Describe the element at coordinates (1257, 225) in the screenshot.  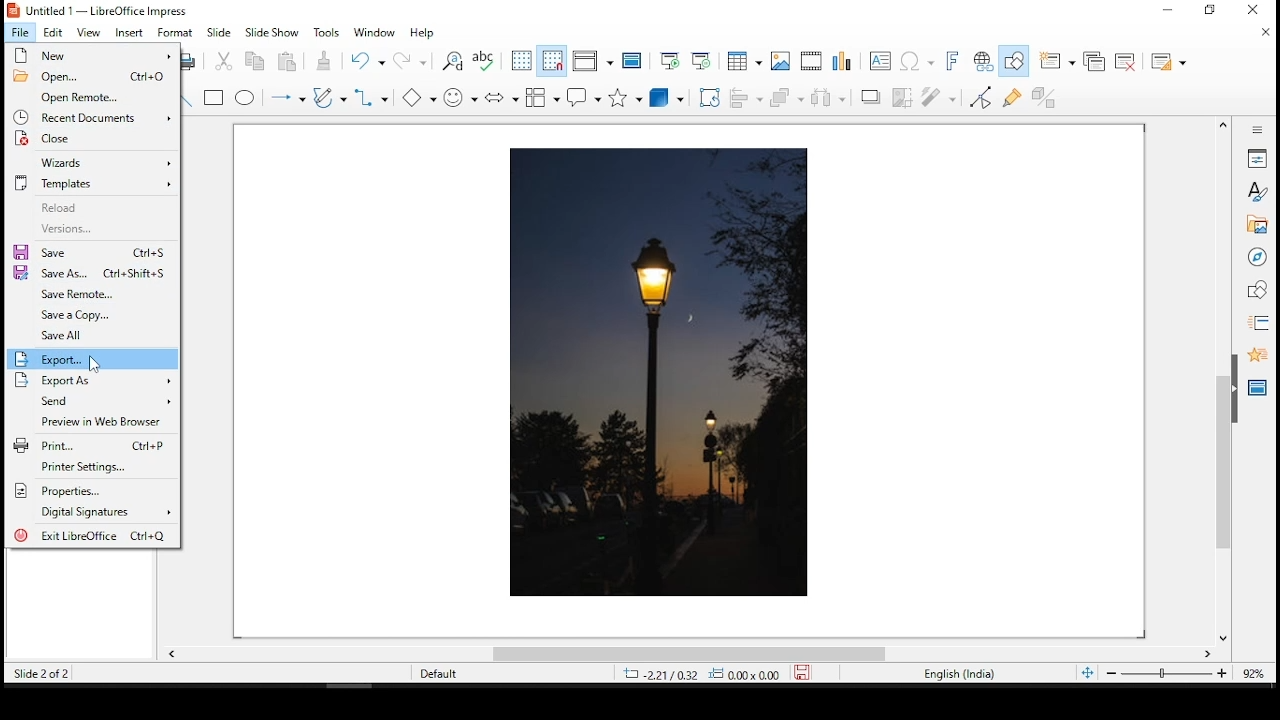
I see `gallery` at that location.